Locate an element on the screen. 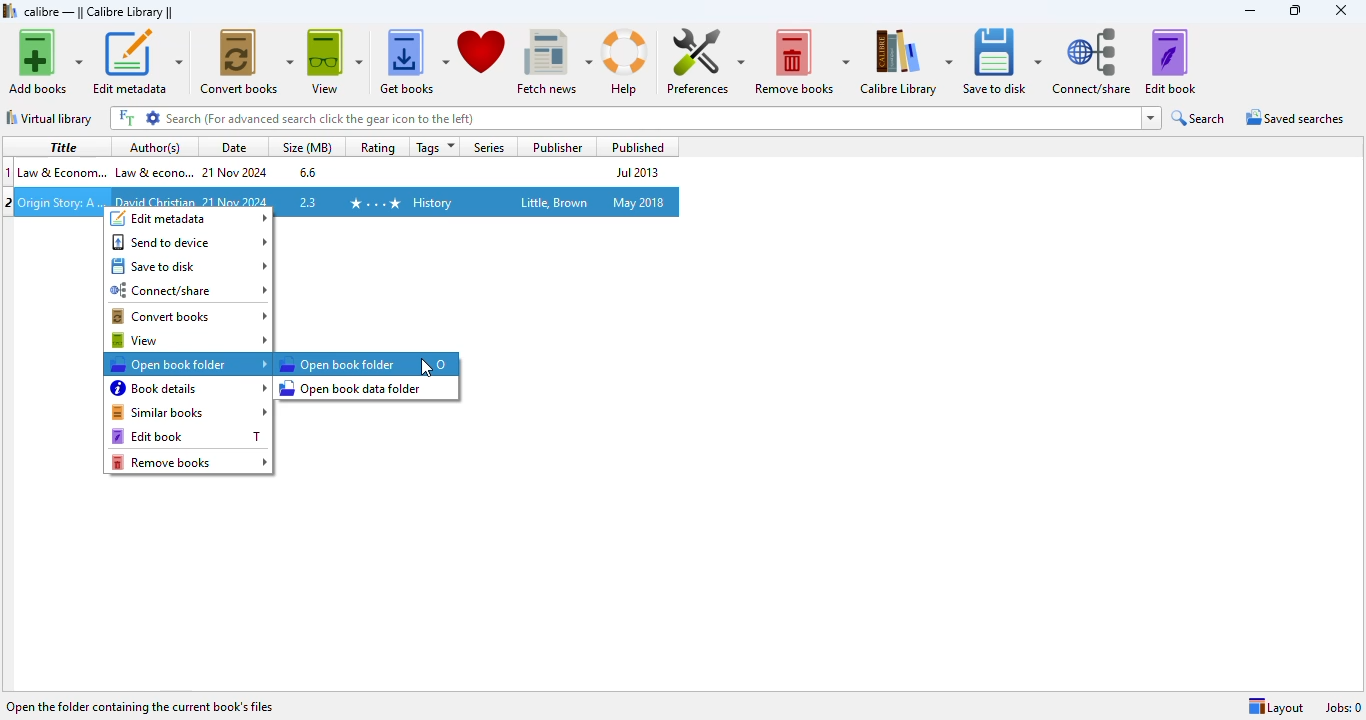  open the folder containing the current book's files is located at coordinates (141, 705).